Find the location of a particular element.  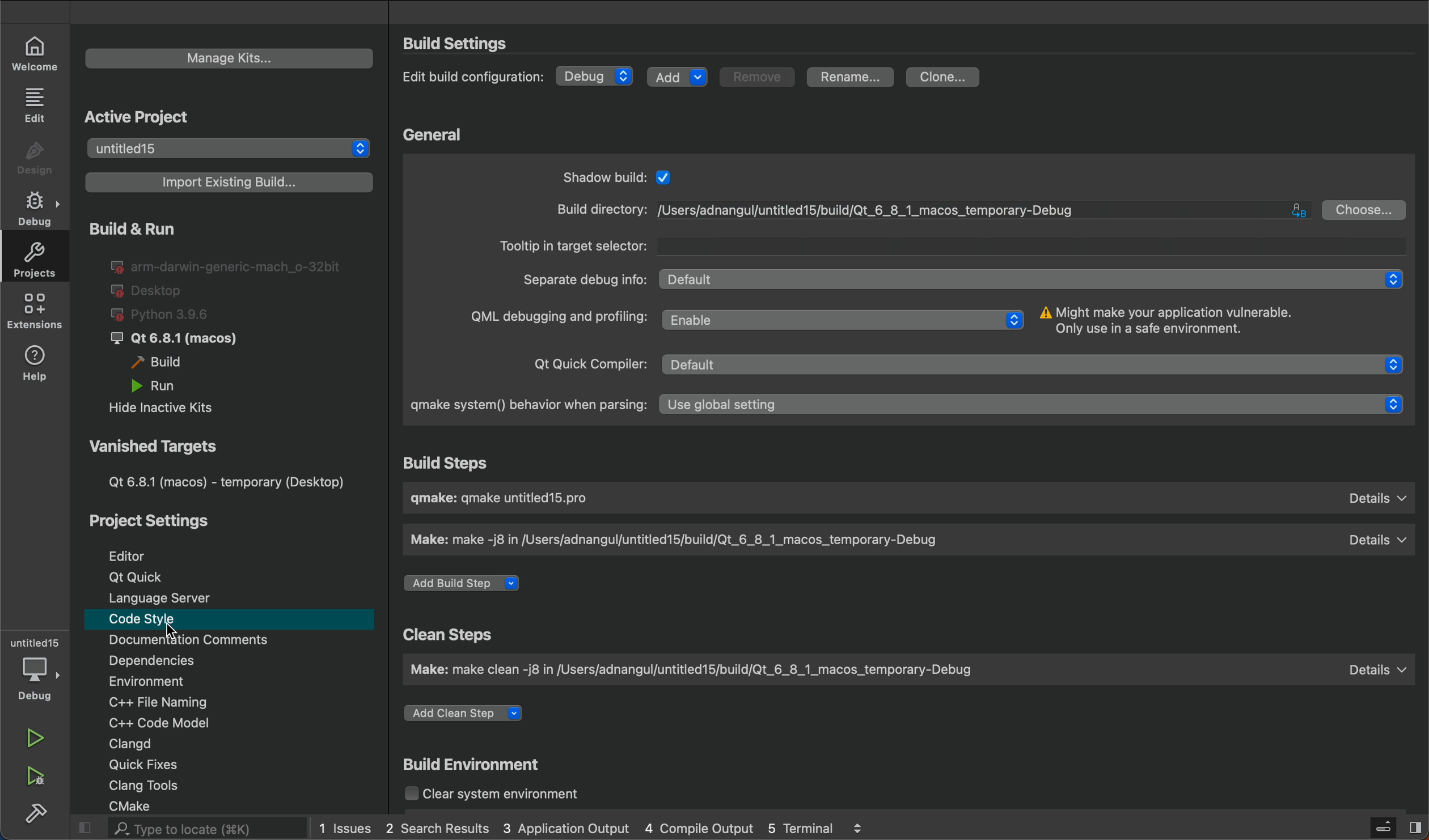

debug is located at coordinates (34, 207).